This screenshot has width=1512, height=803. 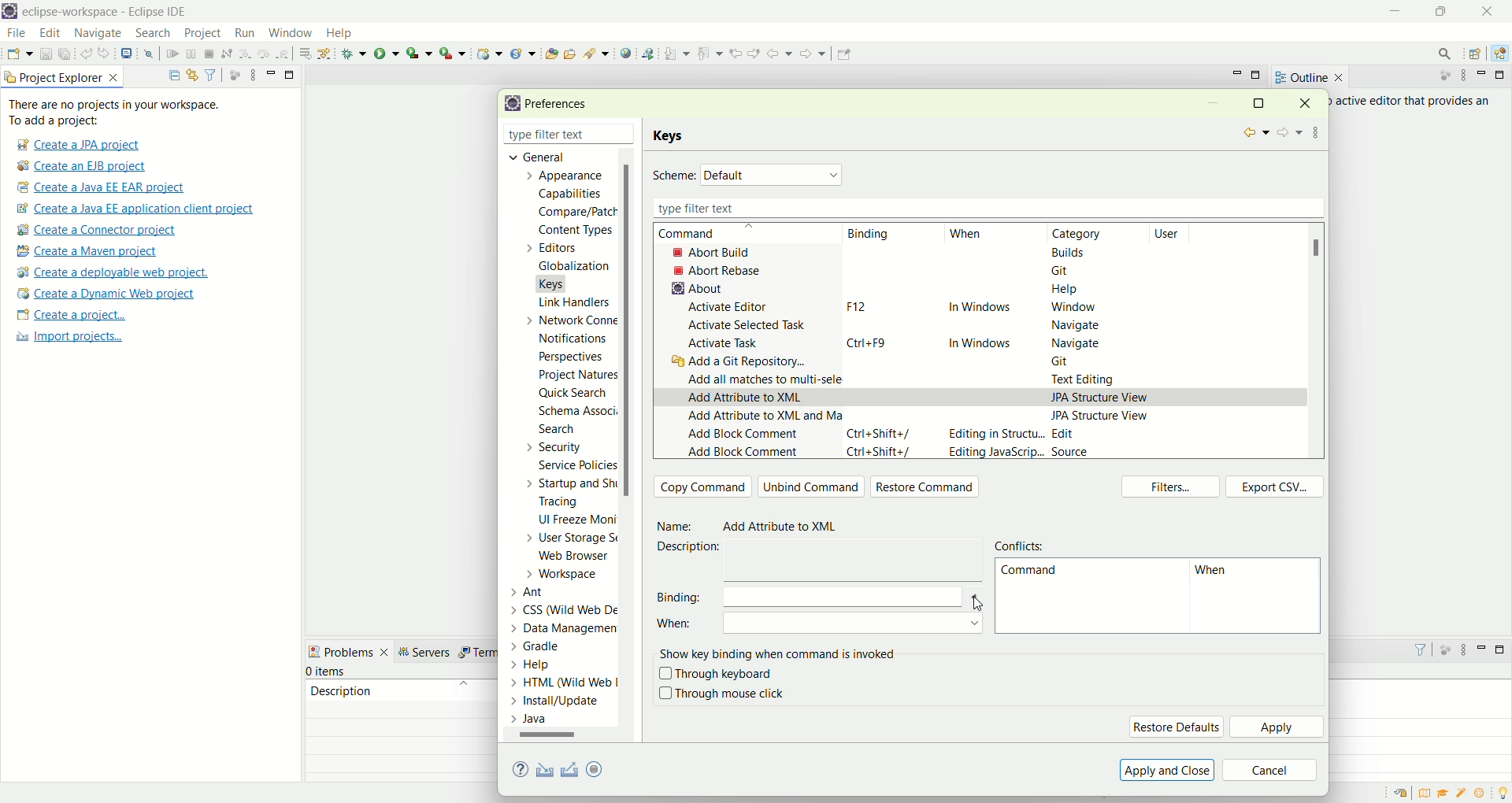 I want to click on oomph preference, so click(x=597, y=768).